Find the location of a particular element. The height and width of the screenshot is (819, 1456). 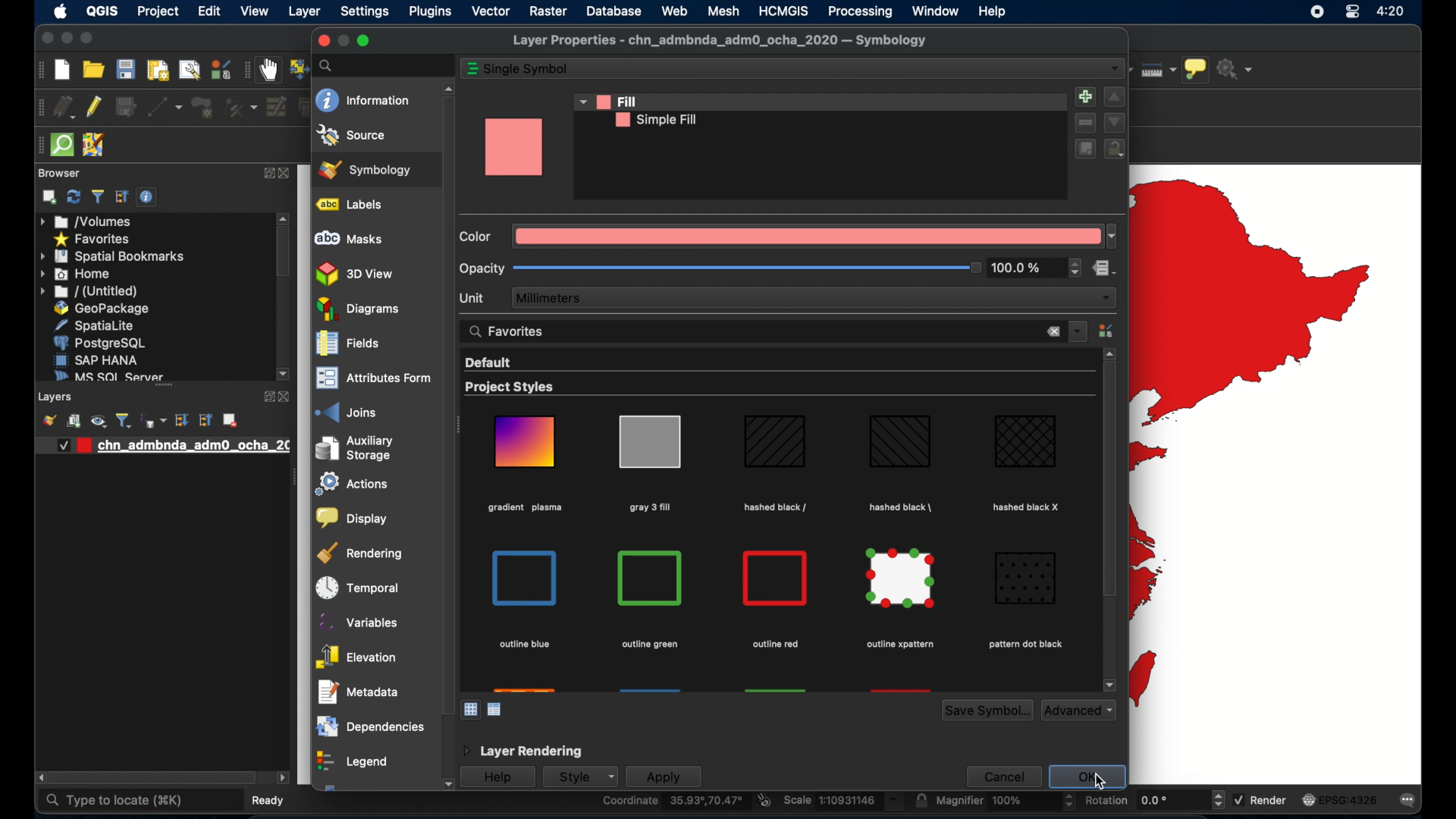

pink color preview is located at coordinates (515, 149).